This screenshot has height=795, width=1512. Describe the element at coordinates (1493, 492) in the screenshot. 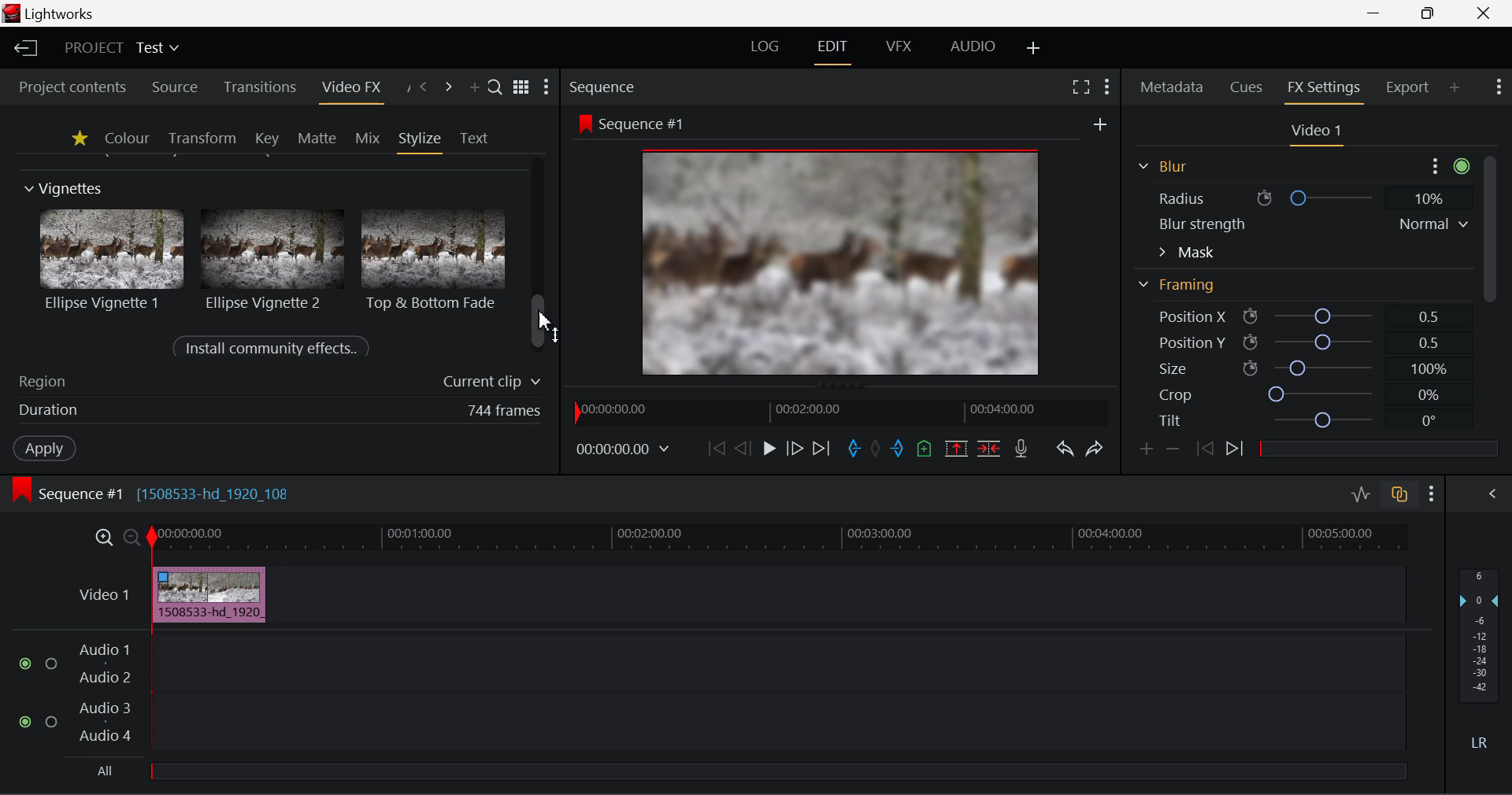

I see `View Audio Mix` at that location.